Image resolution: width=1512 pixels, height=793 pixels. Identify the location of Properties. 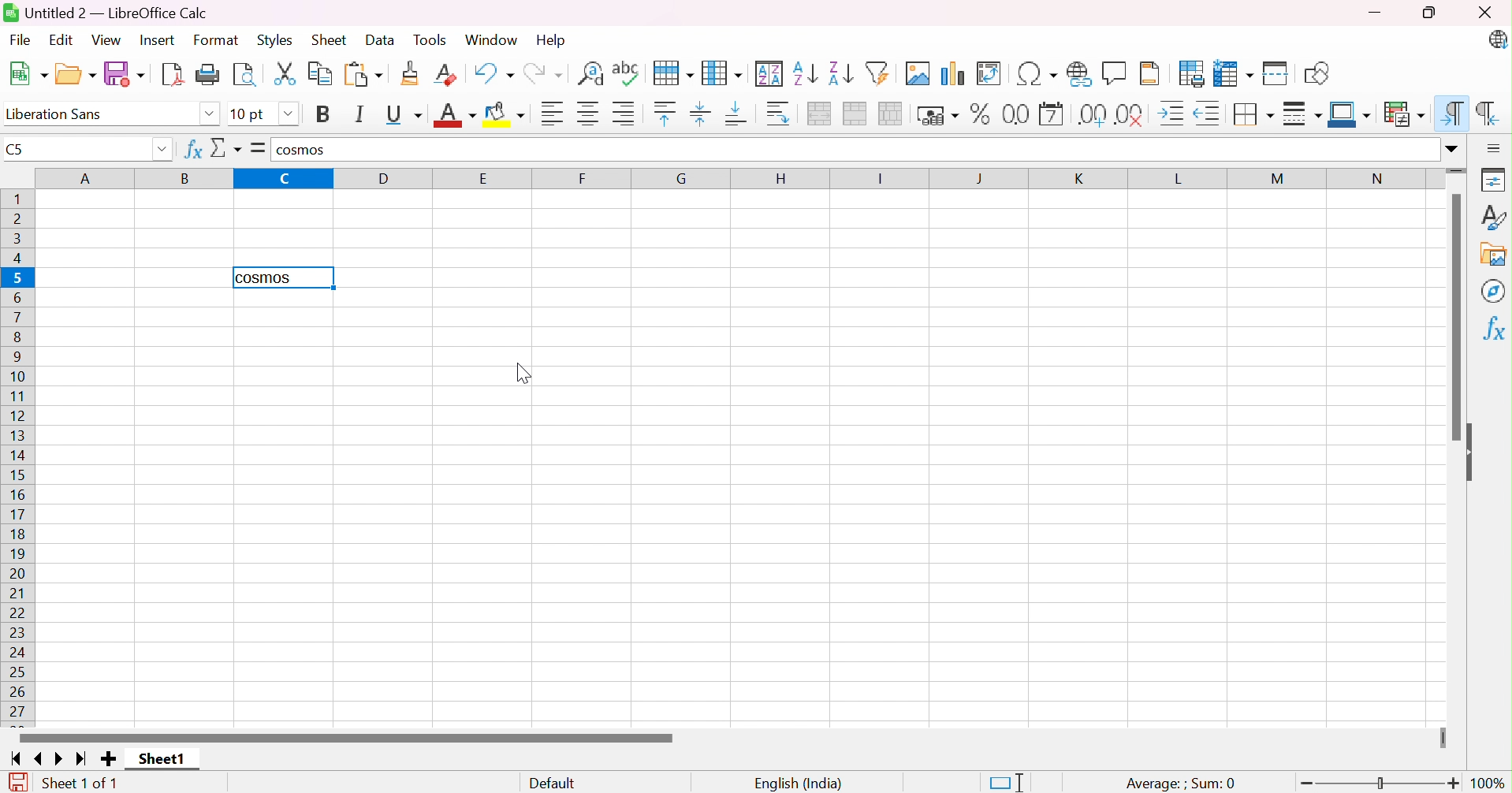
(1496, 177).